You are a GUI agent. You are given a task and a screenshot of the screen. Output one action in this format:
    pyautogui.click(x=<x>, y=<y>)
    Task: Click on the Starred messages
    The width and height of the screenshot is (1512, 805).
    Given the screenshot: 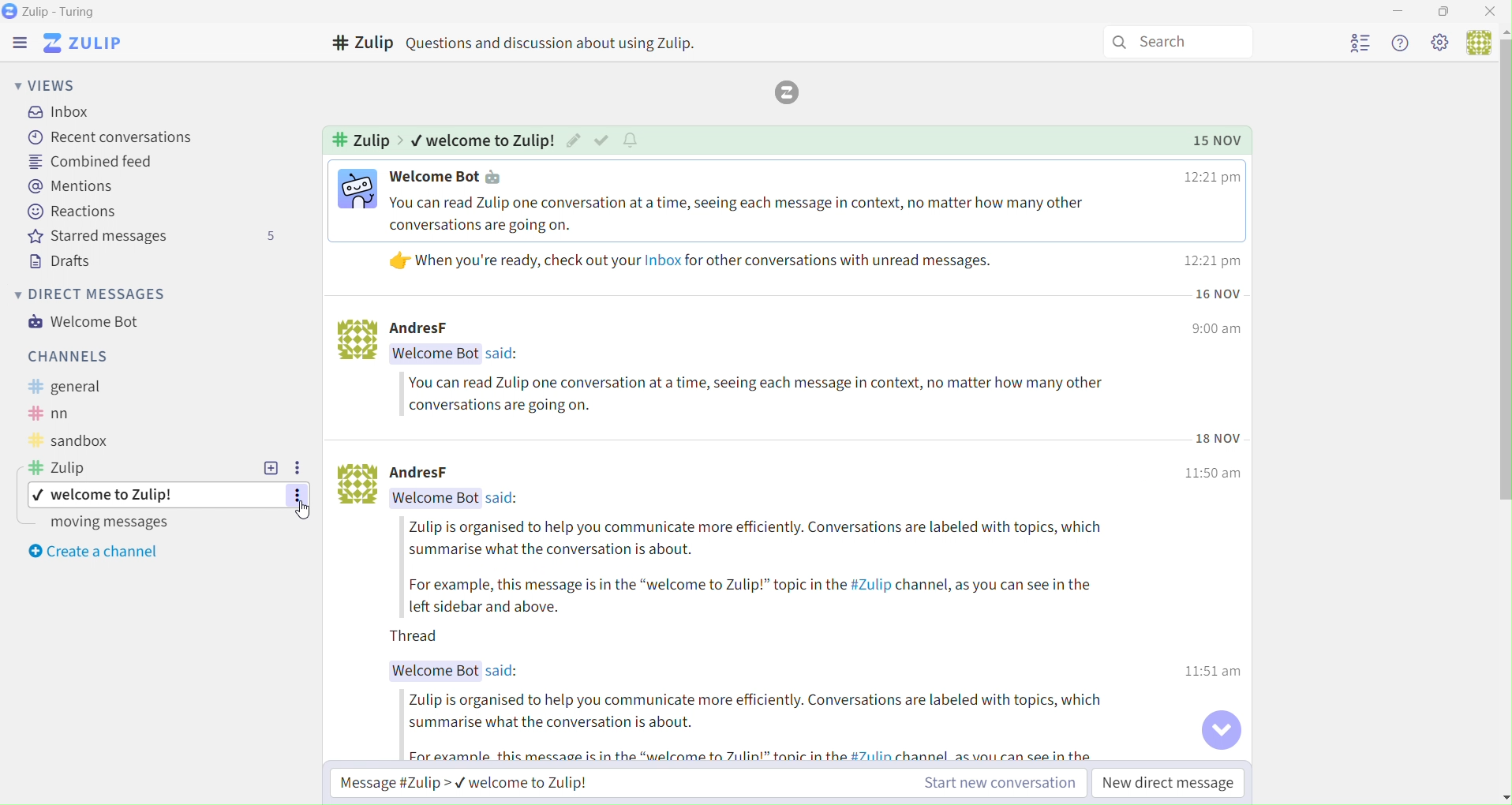 What is the action you would take?
    pyautogui.click(x=147, y=236)
    